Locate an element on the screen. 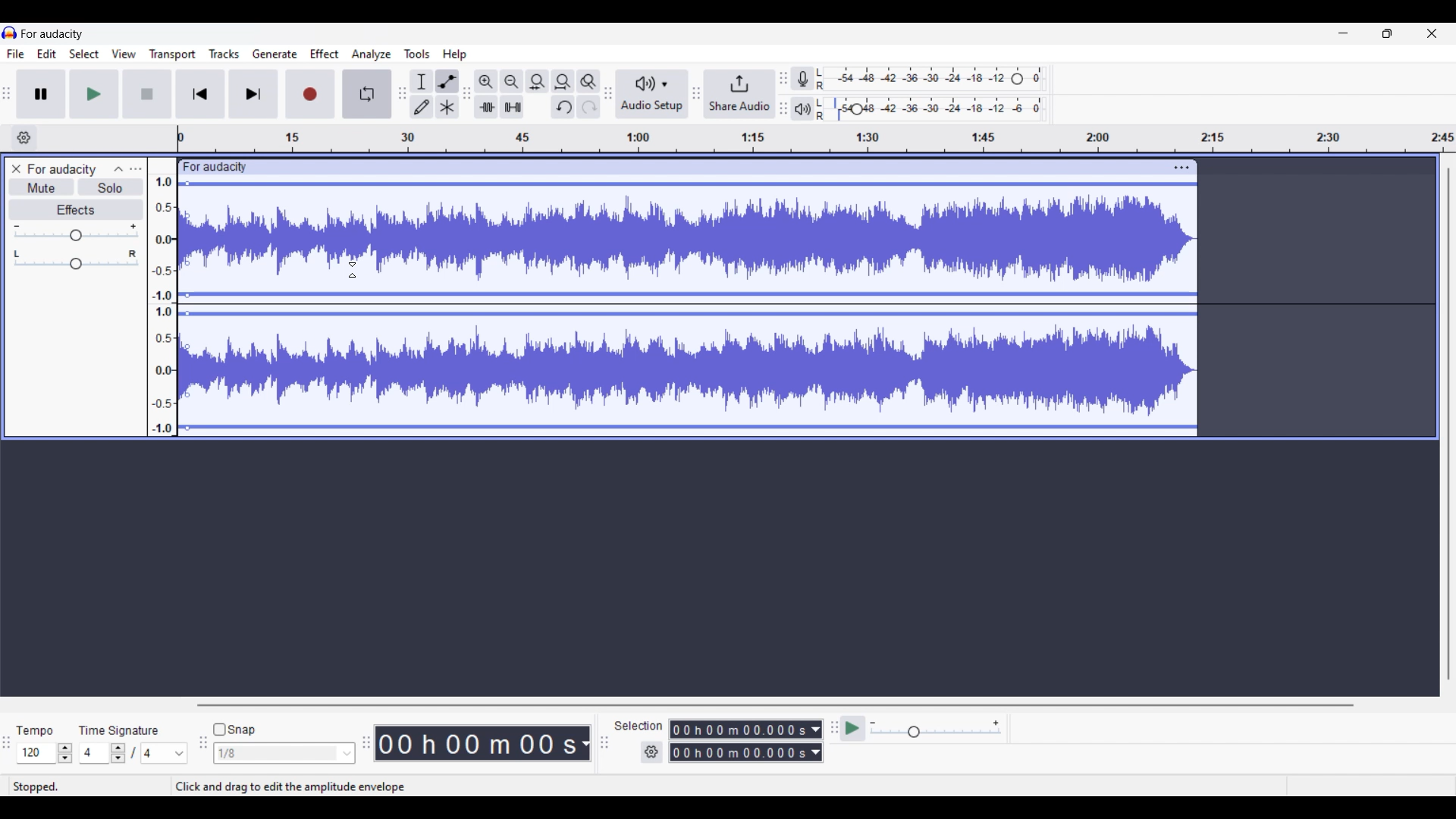 The height and width of the screenshot is (819, 1456). Selection tool is located at coordinates (422, 82).